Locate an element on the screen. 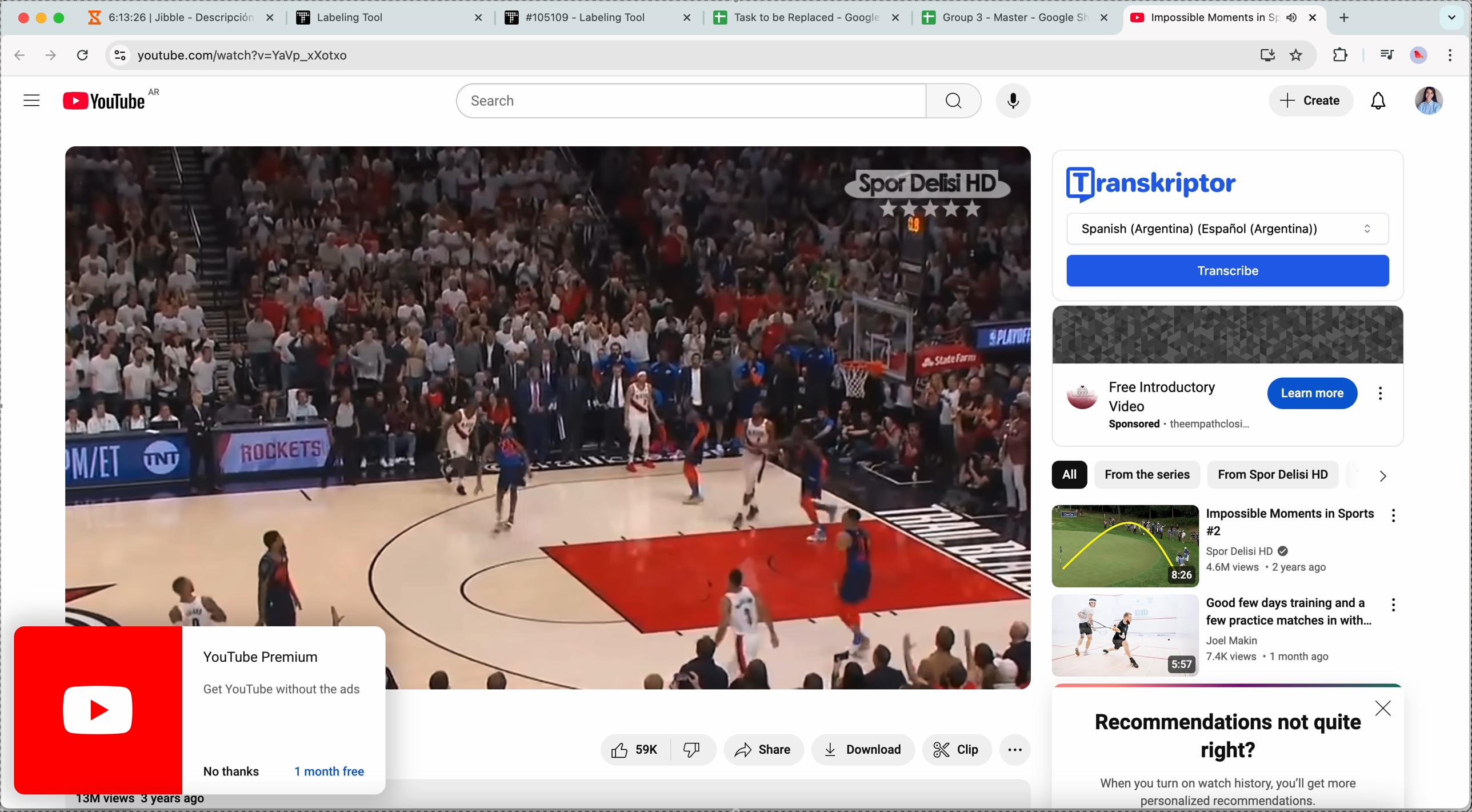 The image size is (1472, 812). video is located at coordinates (1206, 545).